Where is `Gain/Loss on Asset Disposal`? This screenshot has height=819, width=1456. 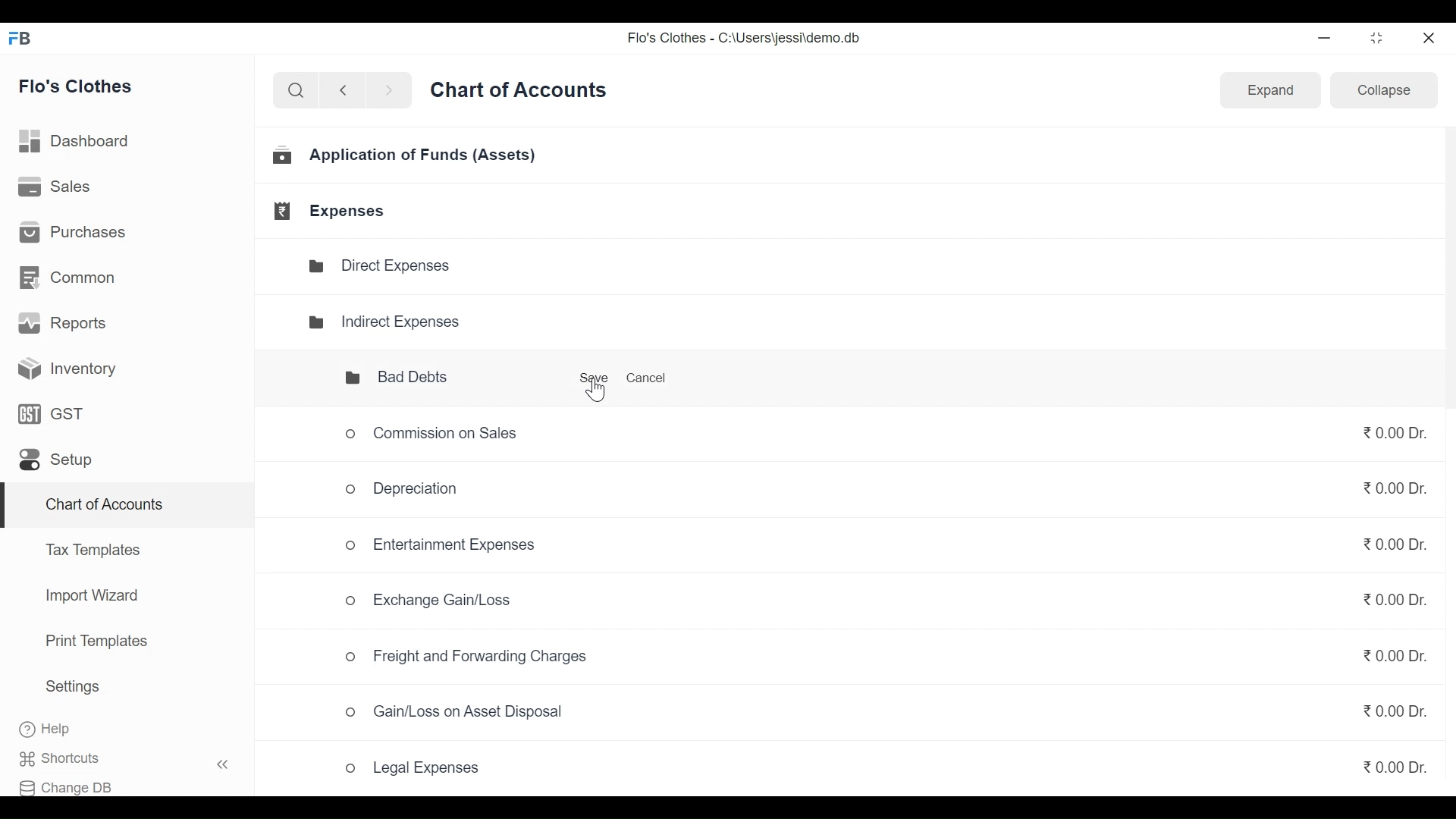
Gain/Loss on Asset Disposal is located at coordinates (454, 715).